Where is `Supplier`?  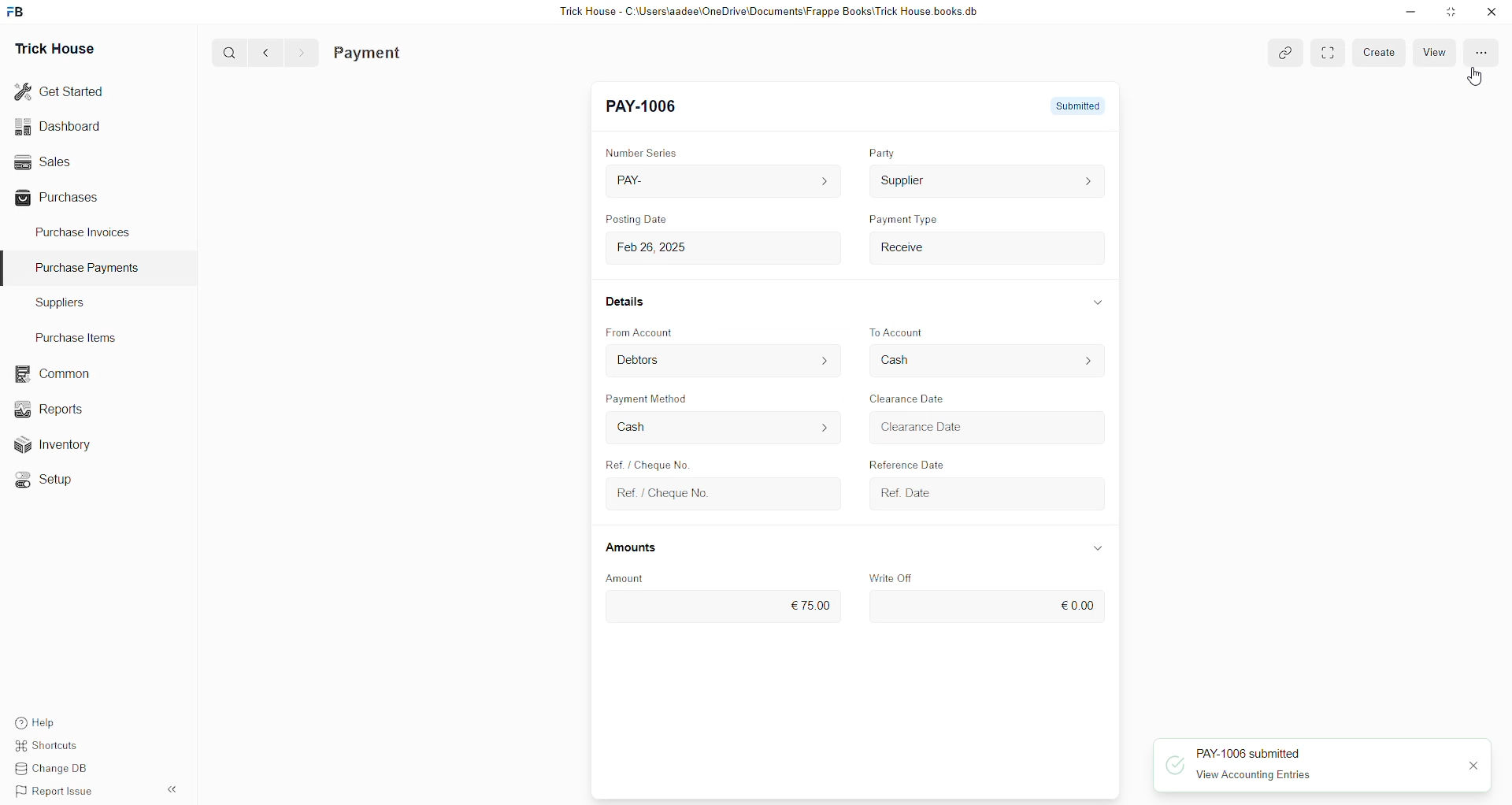 Supplier is located at coordinates (980, 182).